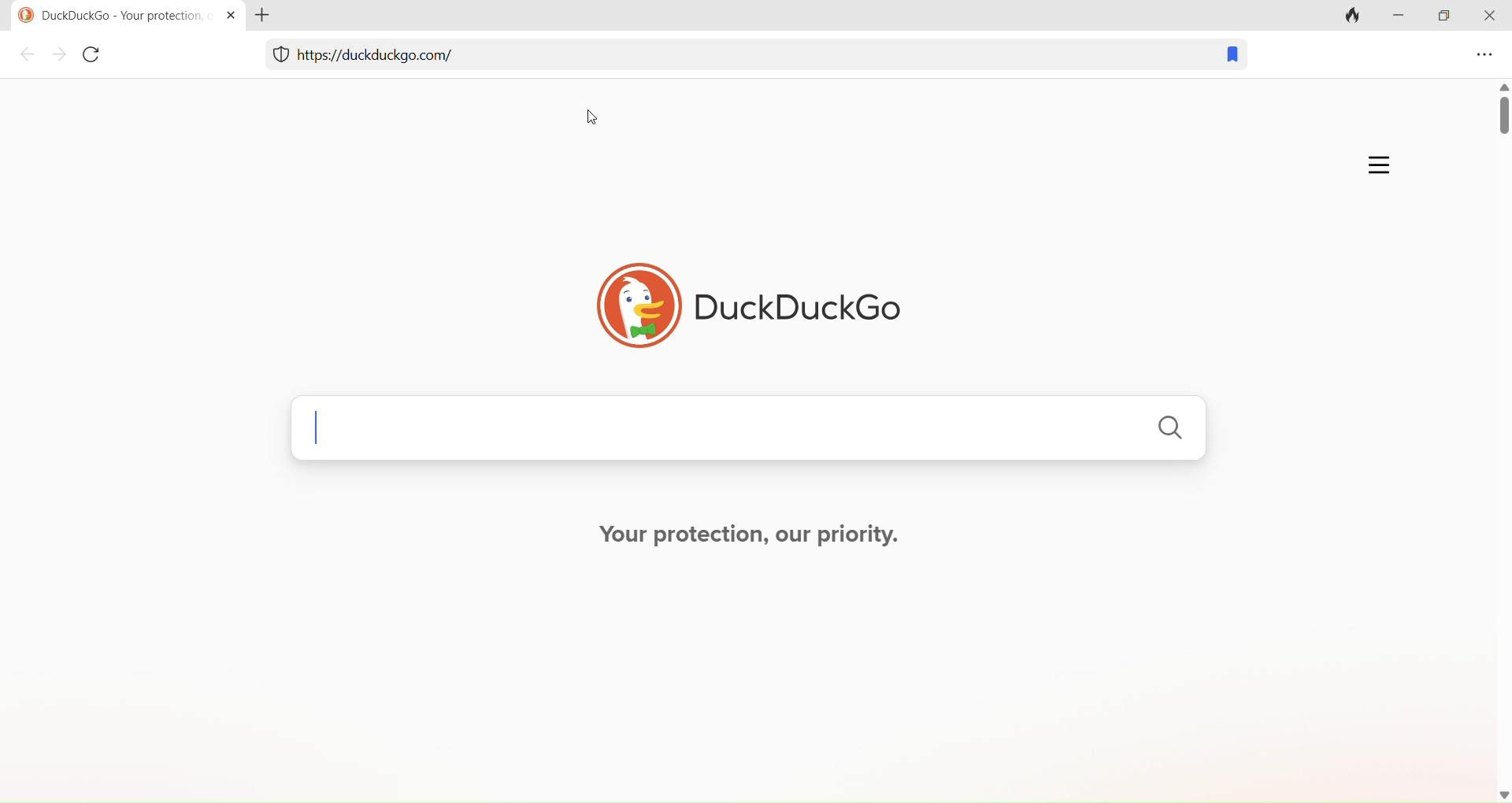  What do you see at coordinates (745, 298) in the screenshot?
I see `DuckDuckGo` at bounding box center [745, 298].